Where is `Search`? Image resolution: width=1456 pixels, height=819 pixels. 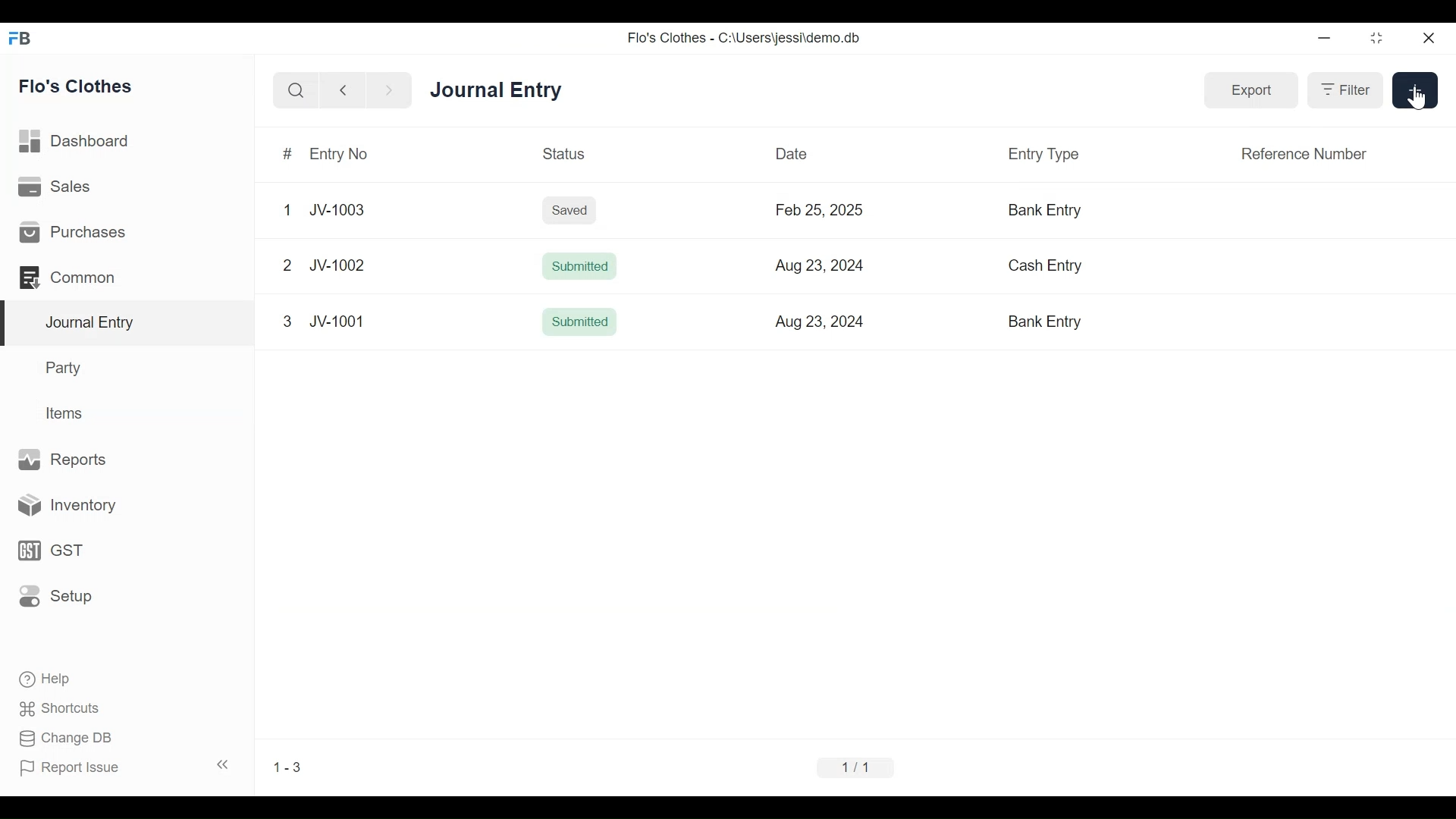 Search is located at coordinates (296, 92).